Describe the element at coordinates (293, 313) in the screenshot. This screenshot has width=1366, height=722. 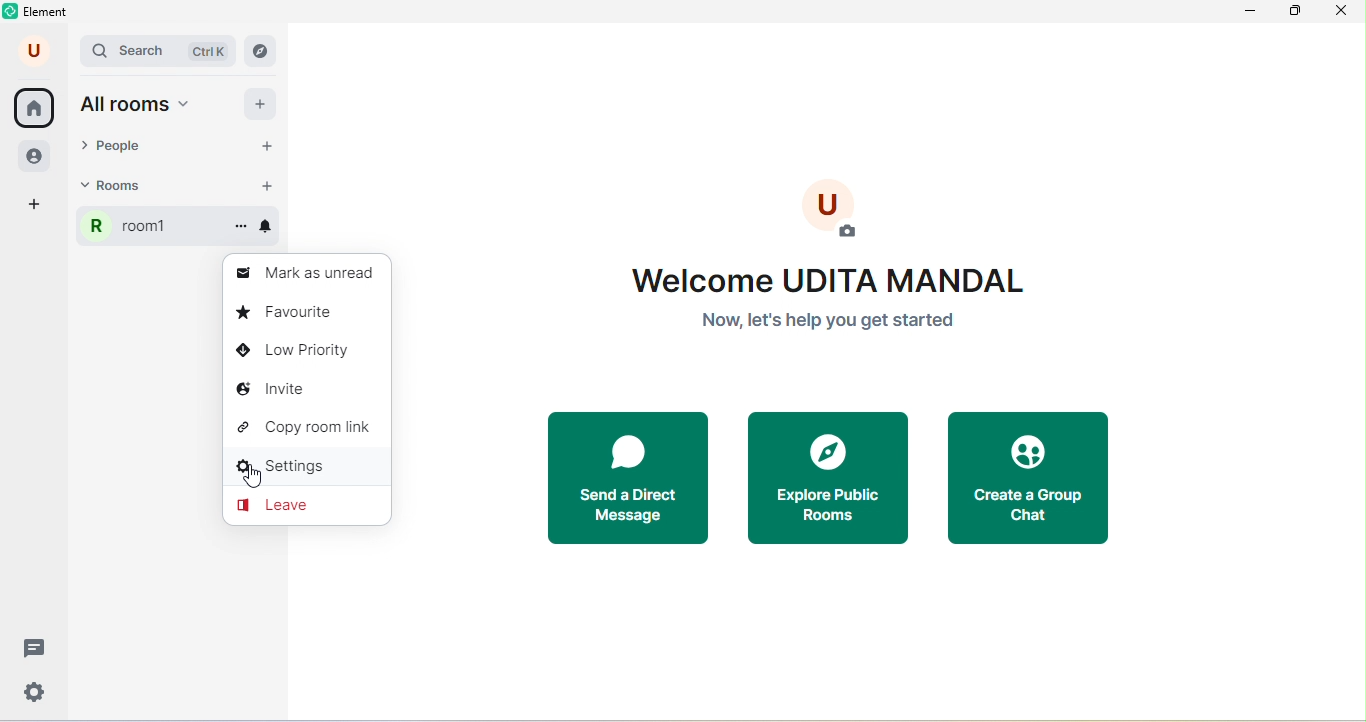
I see `favorite` at that location.